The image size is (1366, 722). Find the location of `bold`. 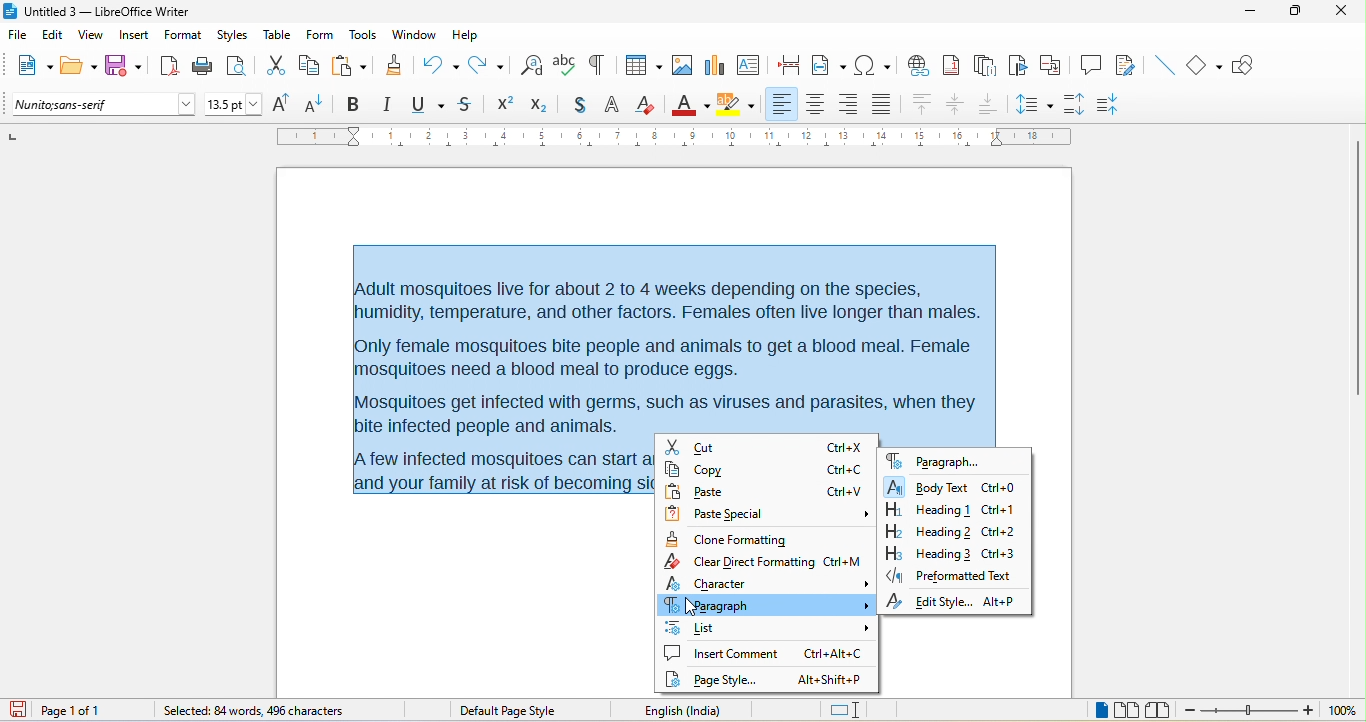

bold is located at coordinates (353, 105).